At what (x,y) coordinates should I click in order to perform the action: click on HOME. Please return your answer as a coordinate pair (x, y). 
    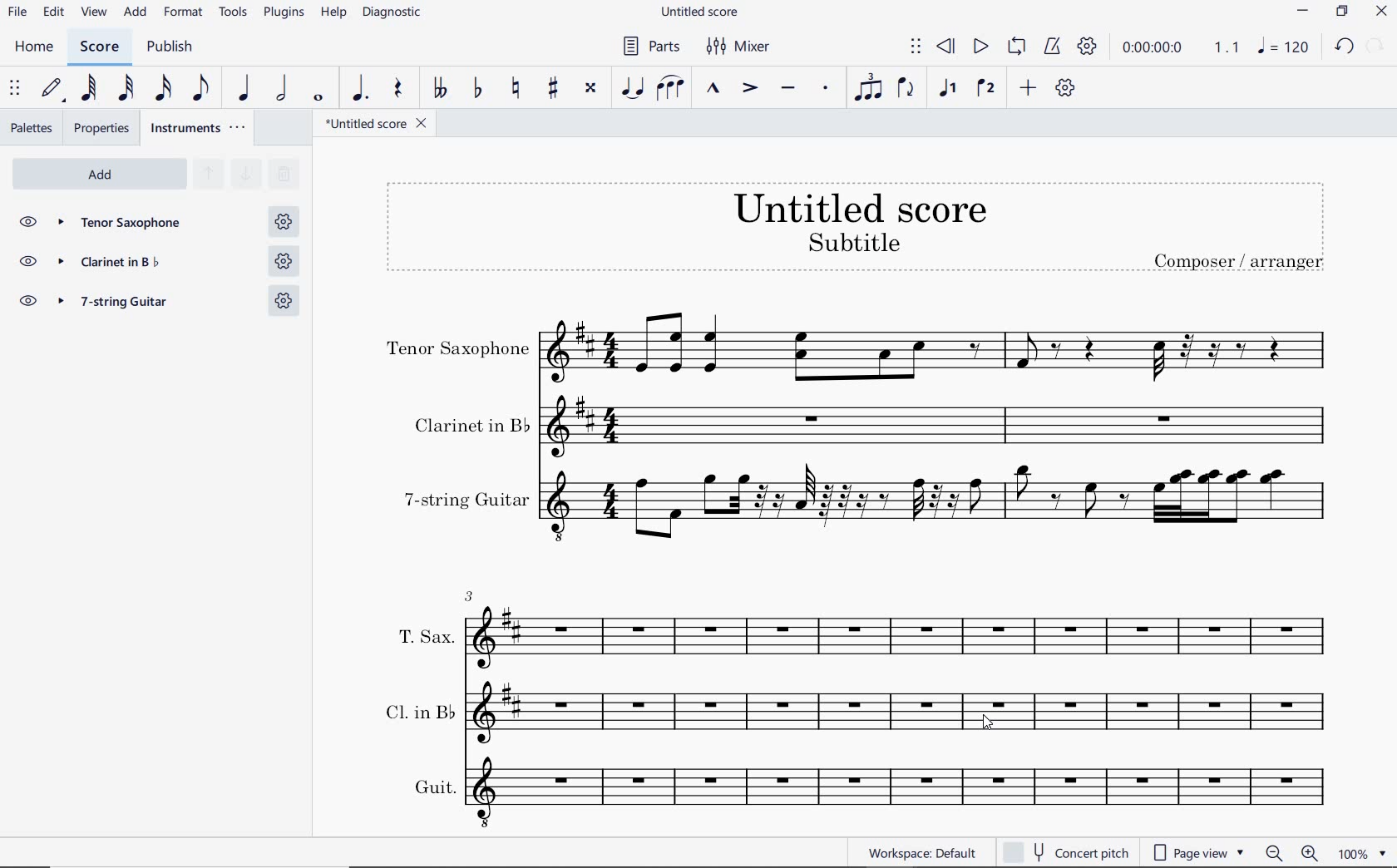
    Looking at the image, I should click on (35, 48).